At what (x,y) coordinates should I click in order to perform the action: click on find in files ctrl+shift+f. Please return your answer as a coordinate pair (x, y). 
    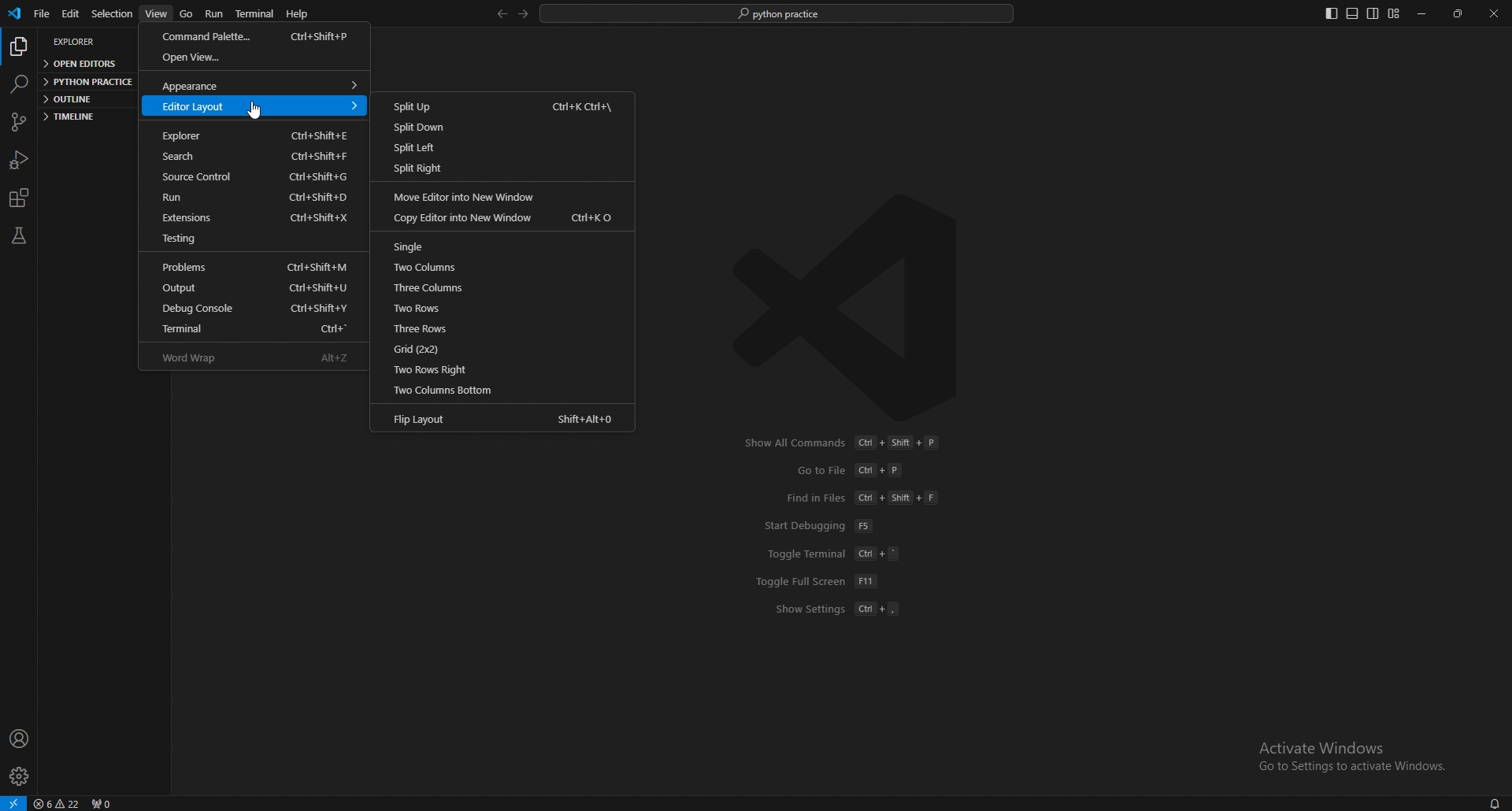
    Looking at the image, I should click on (862, 498).